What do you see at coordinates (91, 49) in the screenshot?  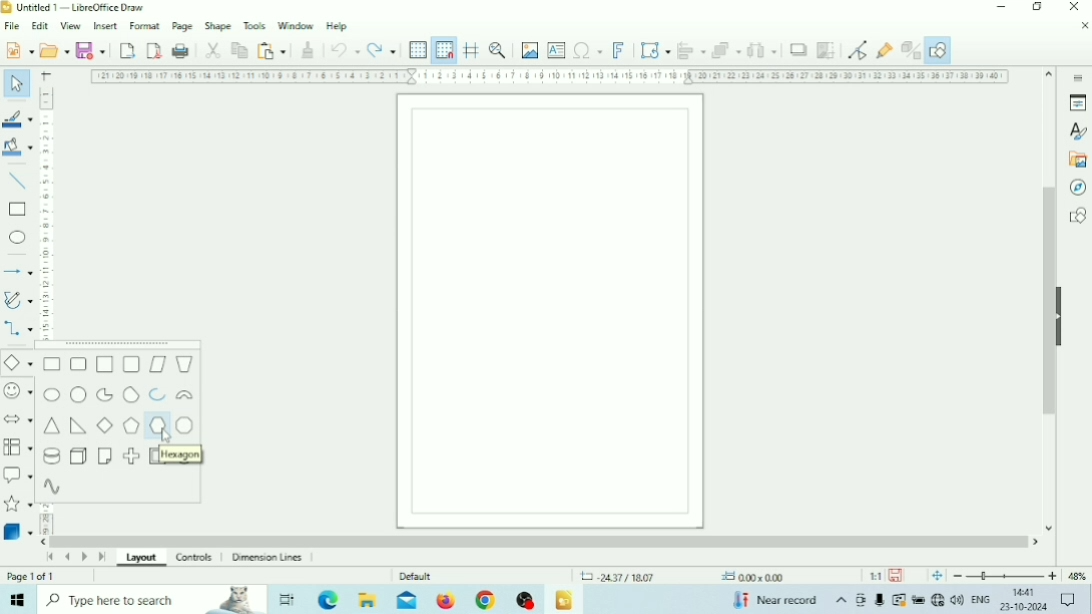 I see `Save` at bounding box center [91, 49].